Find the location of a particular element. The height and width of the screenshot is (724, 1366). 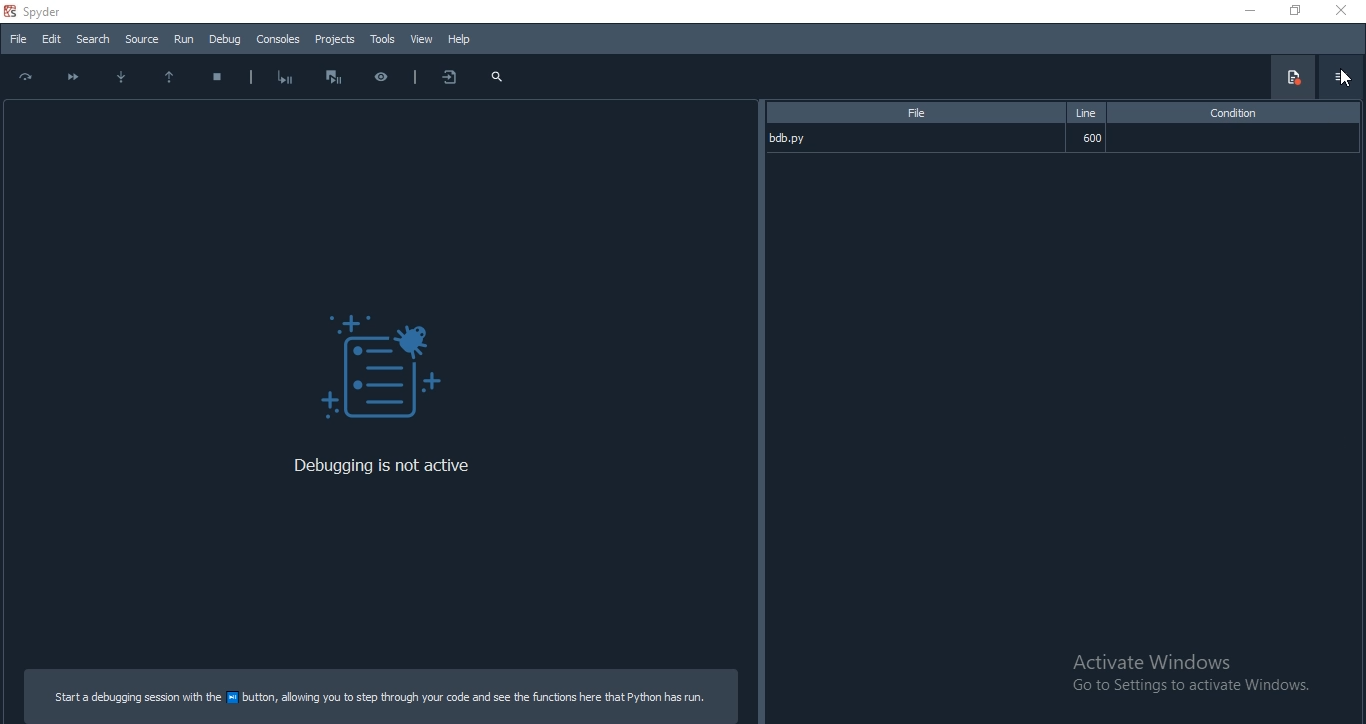

options is located at coordinates (1342, 76).